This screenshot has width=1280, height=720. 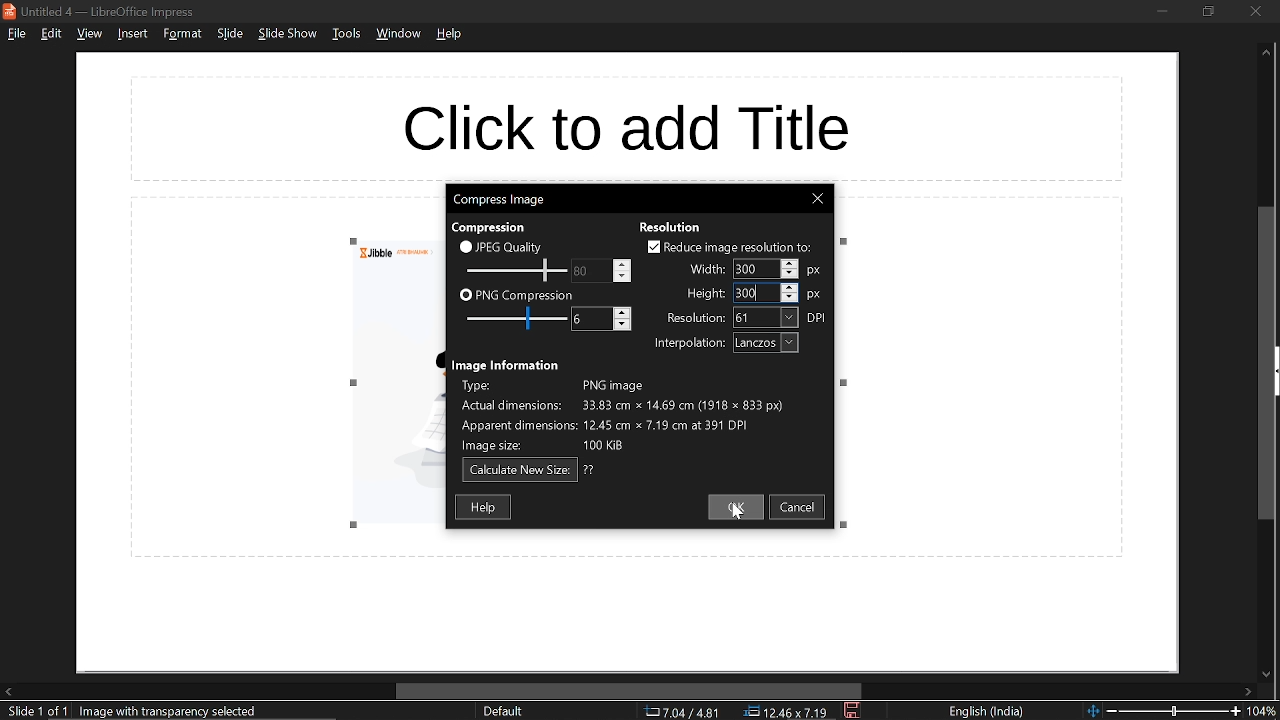 I want to click on change JPEG quality, so click(x=582, y=271).